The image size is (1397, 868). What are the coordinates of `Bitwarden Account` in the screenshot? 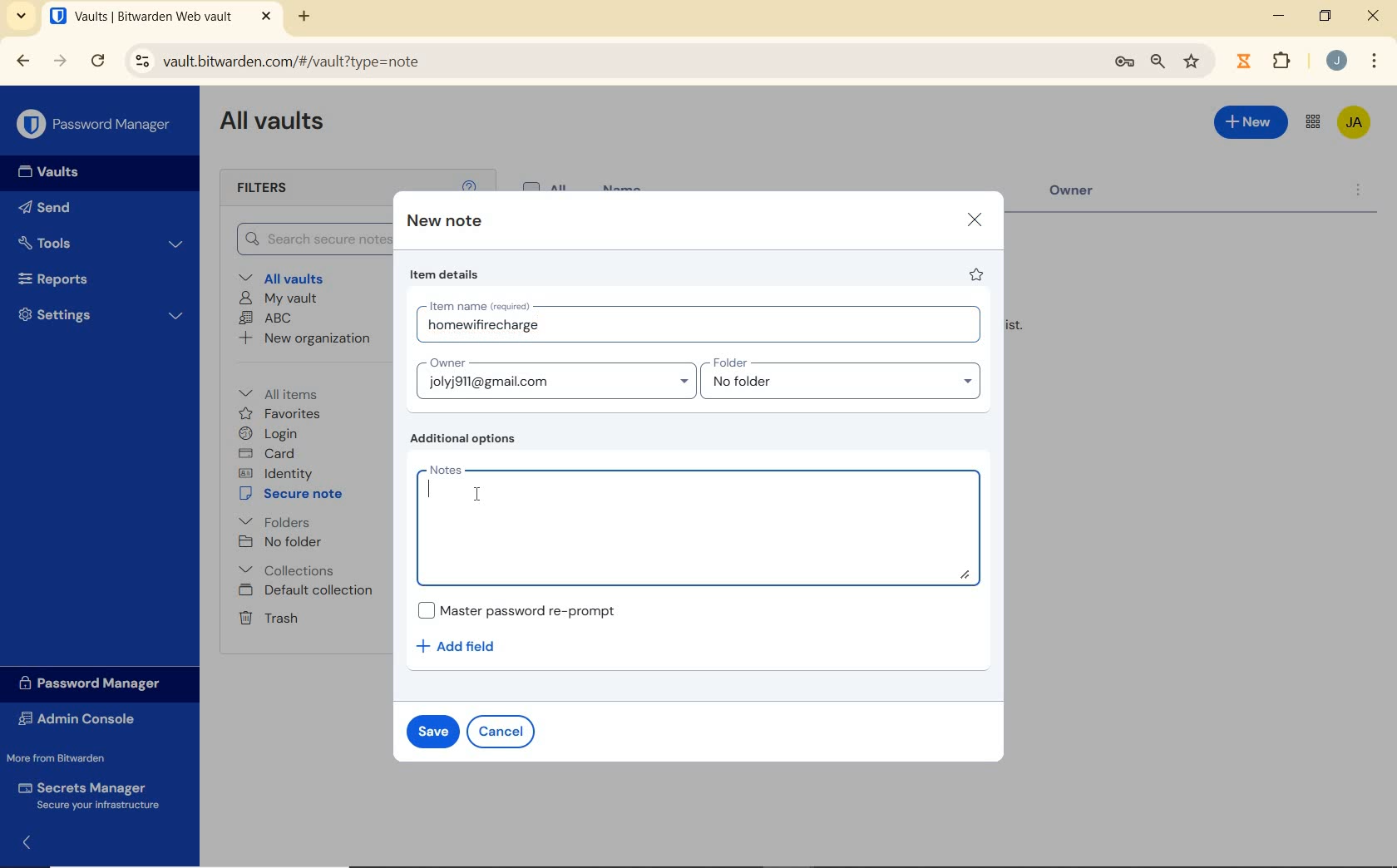 It's located at (1355, 124).